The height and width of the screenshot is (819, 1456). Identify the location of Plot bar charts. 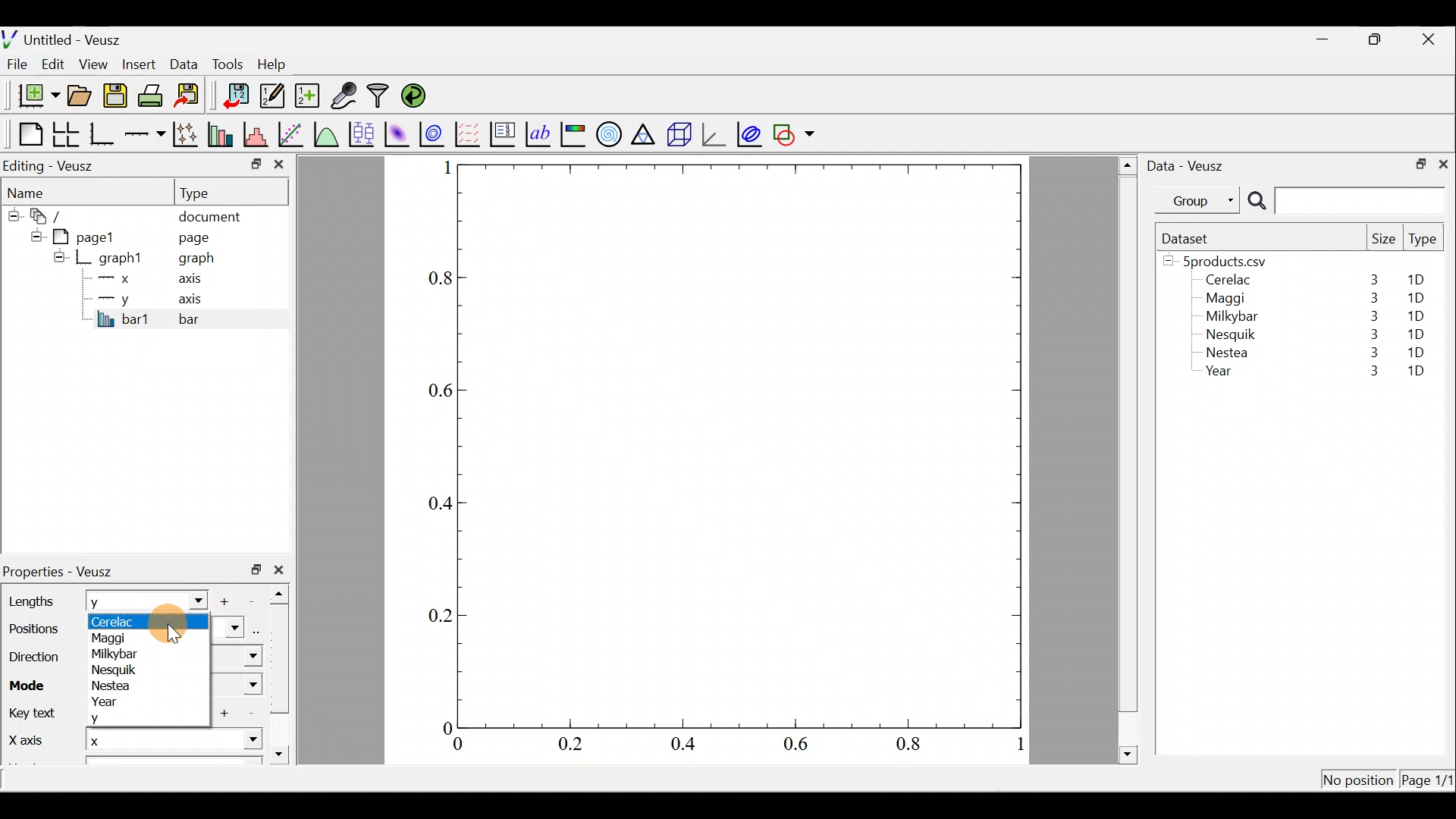
(222, 133).